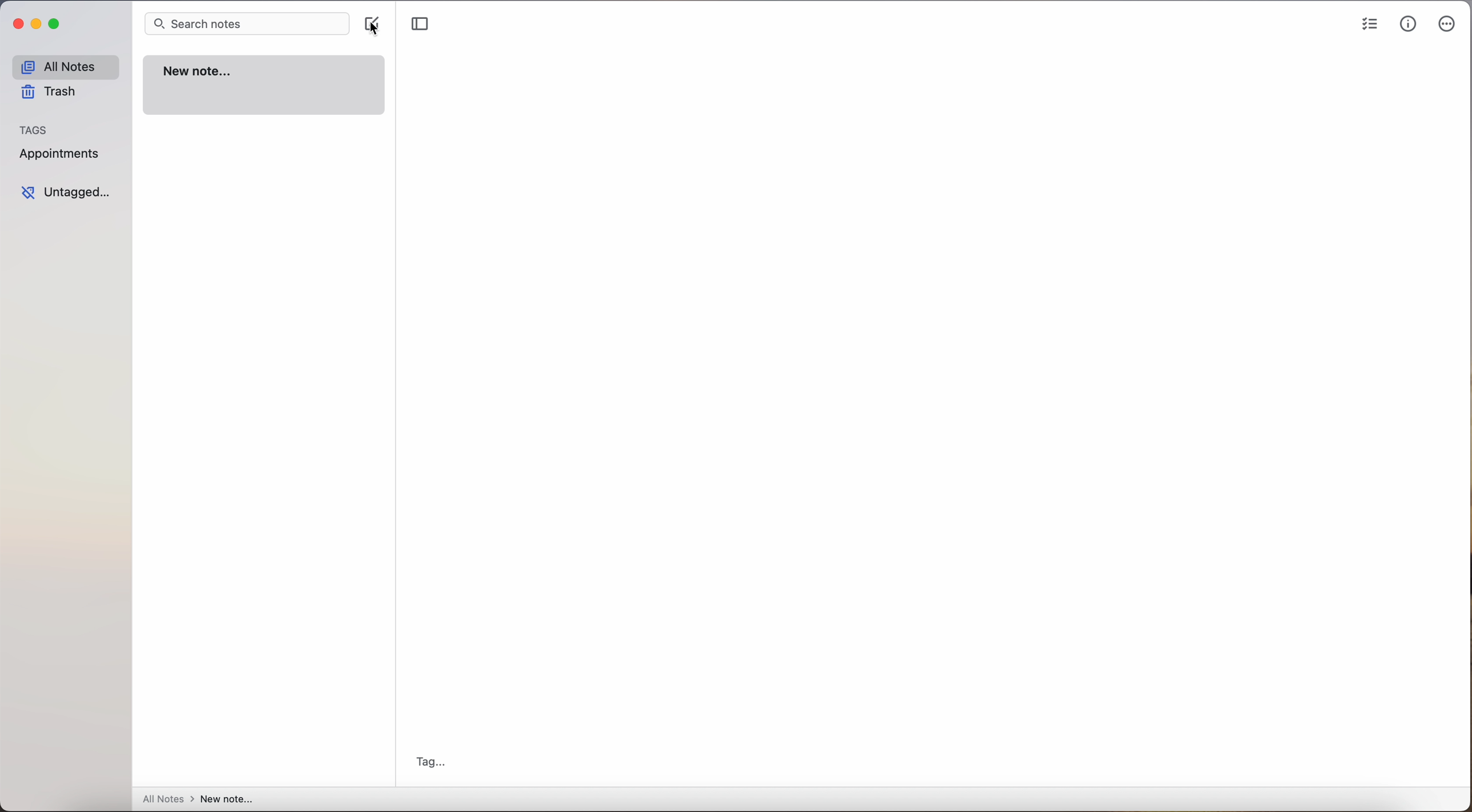 This screenshot has height=812, width=1472. Describe the element at coordinates (67, 192) in the screenshot. I see `untagged` at that location.